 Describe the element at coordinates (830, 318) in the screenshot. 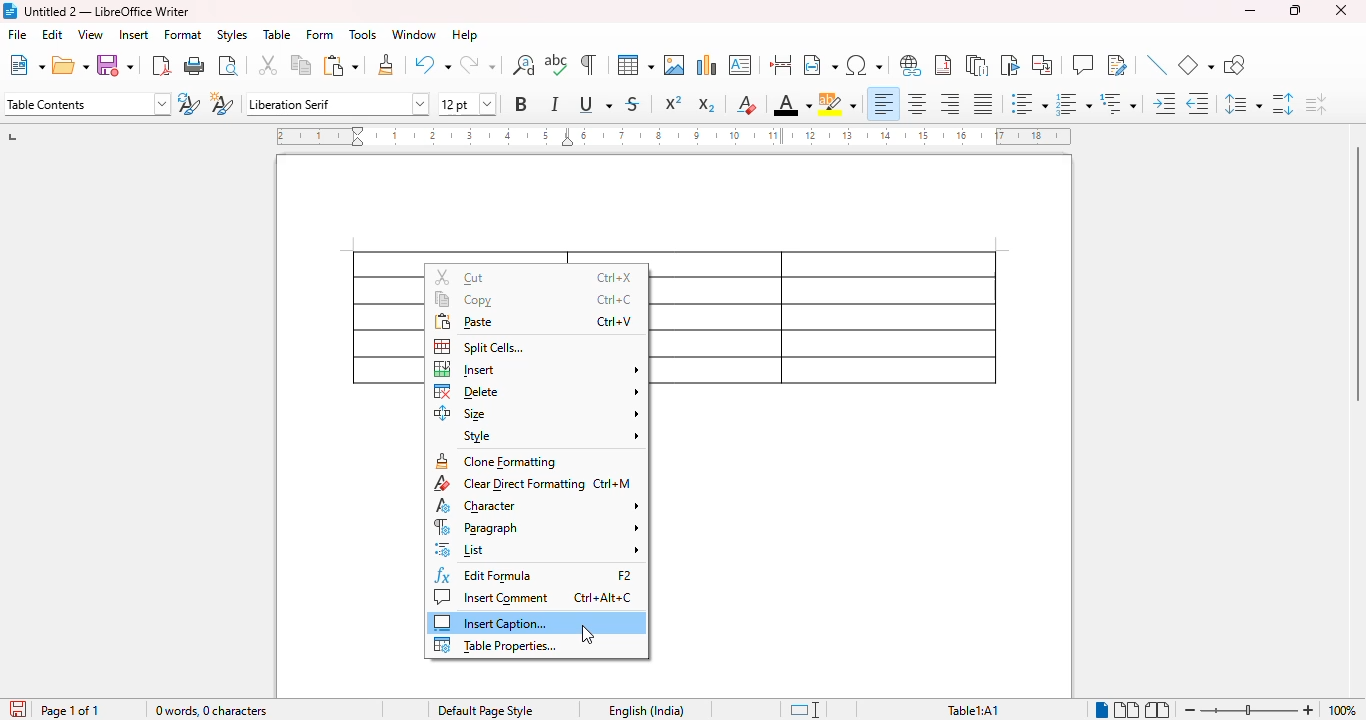

I see `table` at that location.